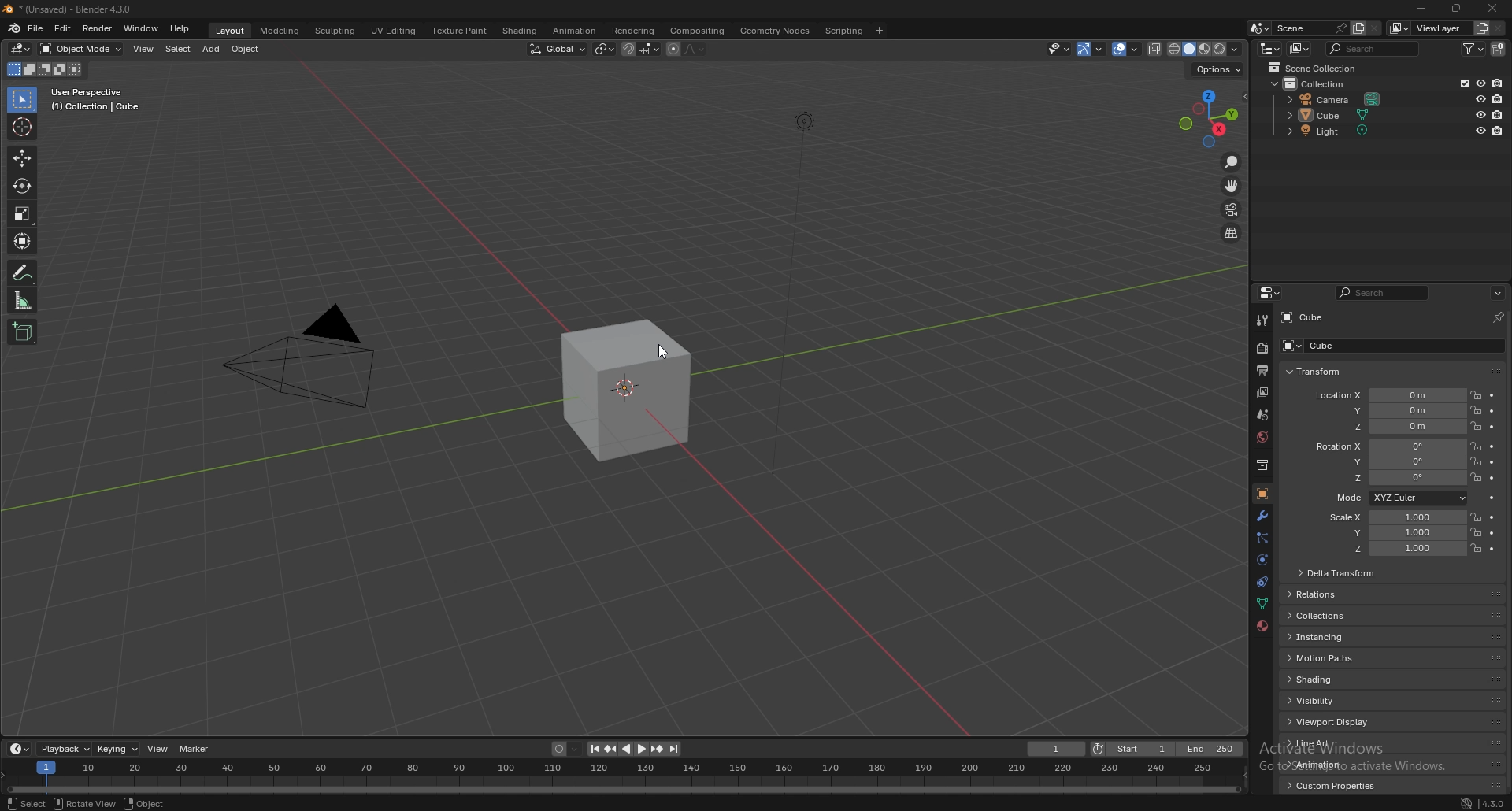  I want to click on move, so click(1232, 184).